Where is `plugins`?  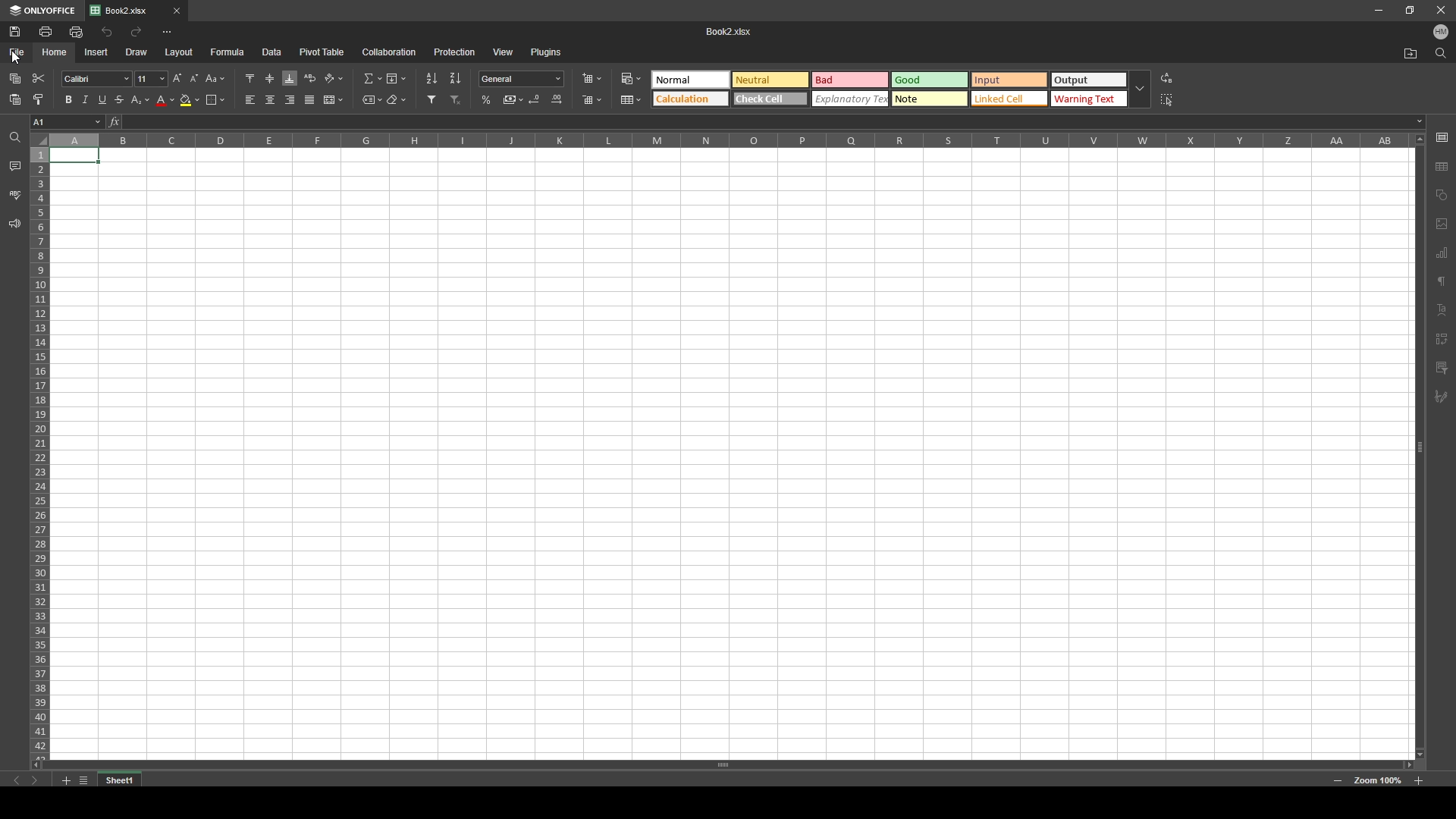 plugins is located at coordinates (546, 52).